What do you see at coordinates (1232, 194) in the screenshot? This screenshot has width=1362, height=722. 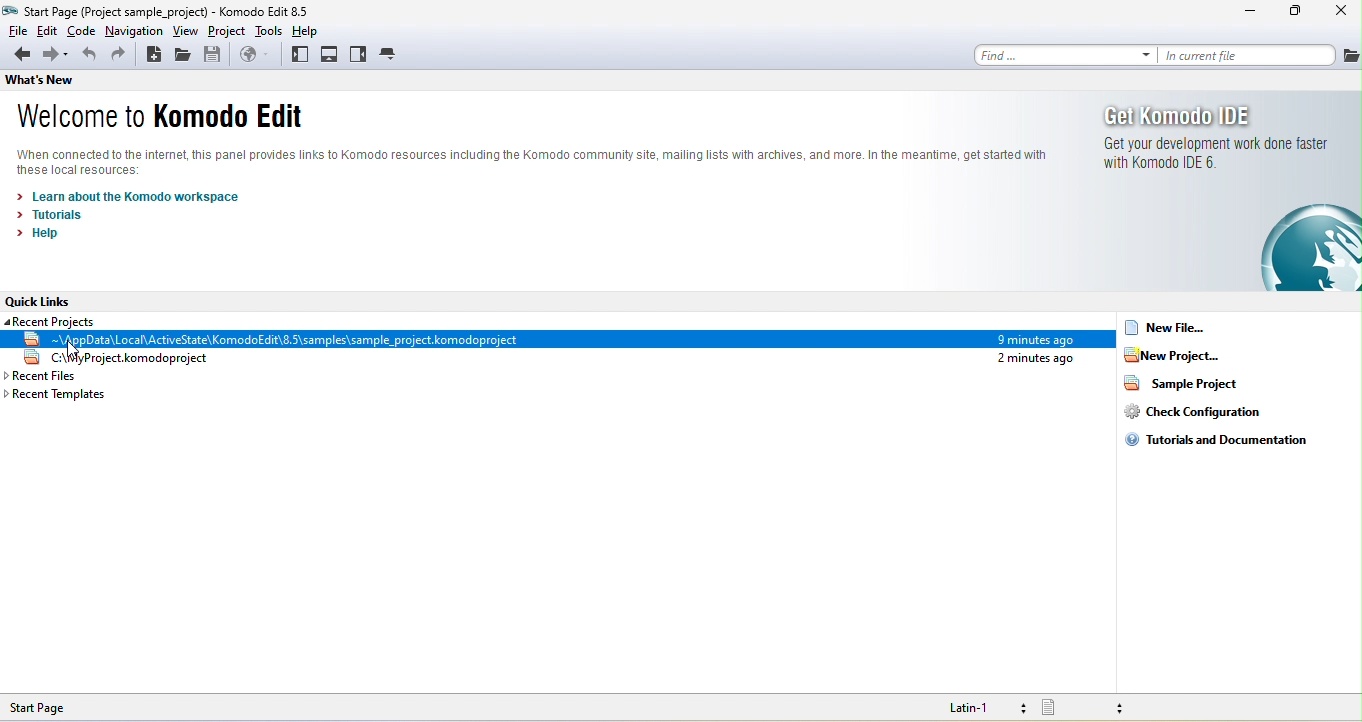 I see `get komodo ide ` at bounding box center [1232, 194].